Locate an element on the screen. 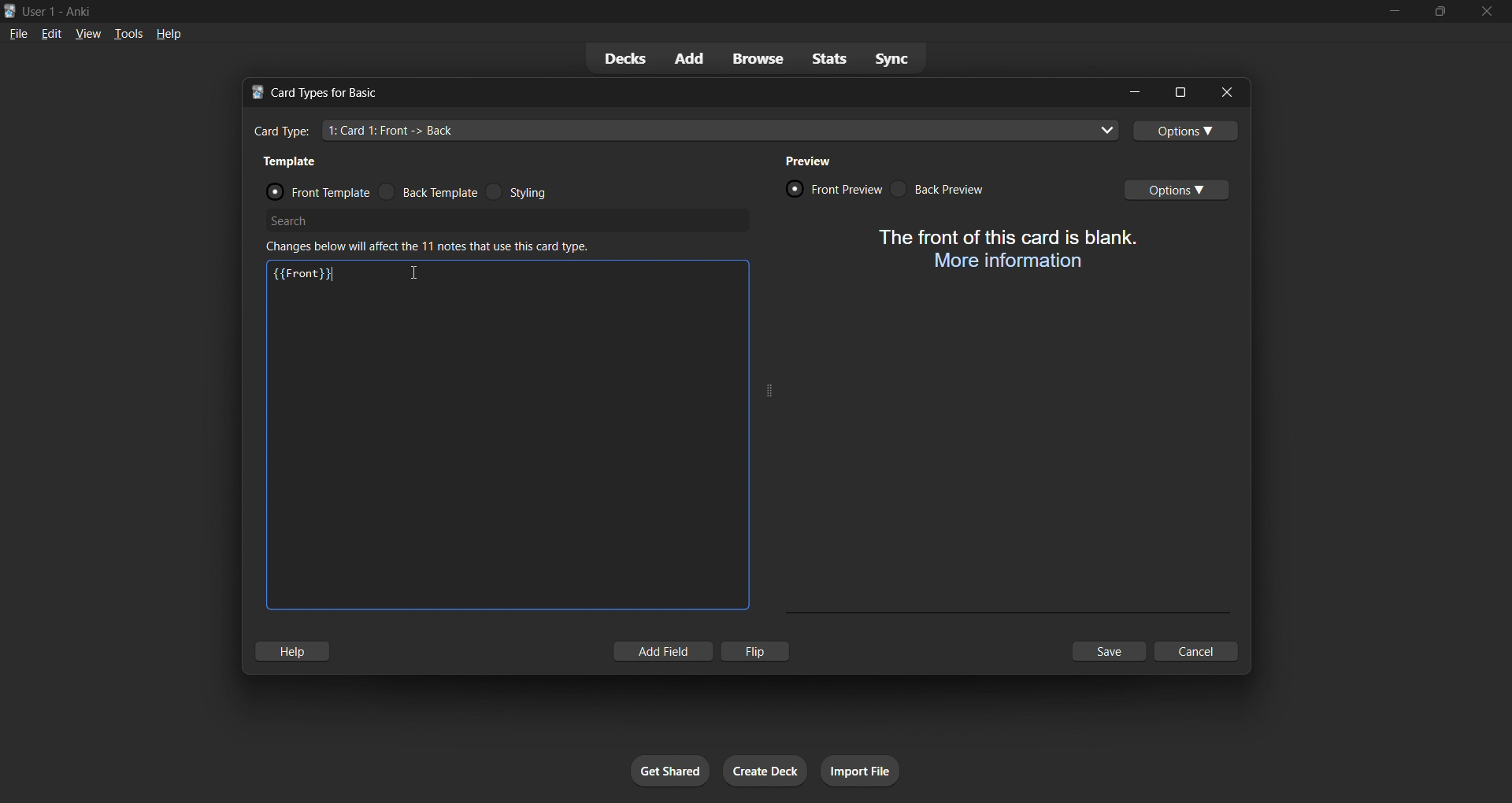  back template is located at coordinates (431, 191).